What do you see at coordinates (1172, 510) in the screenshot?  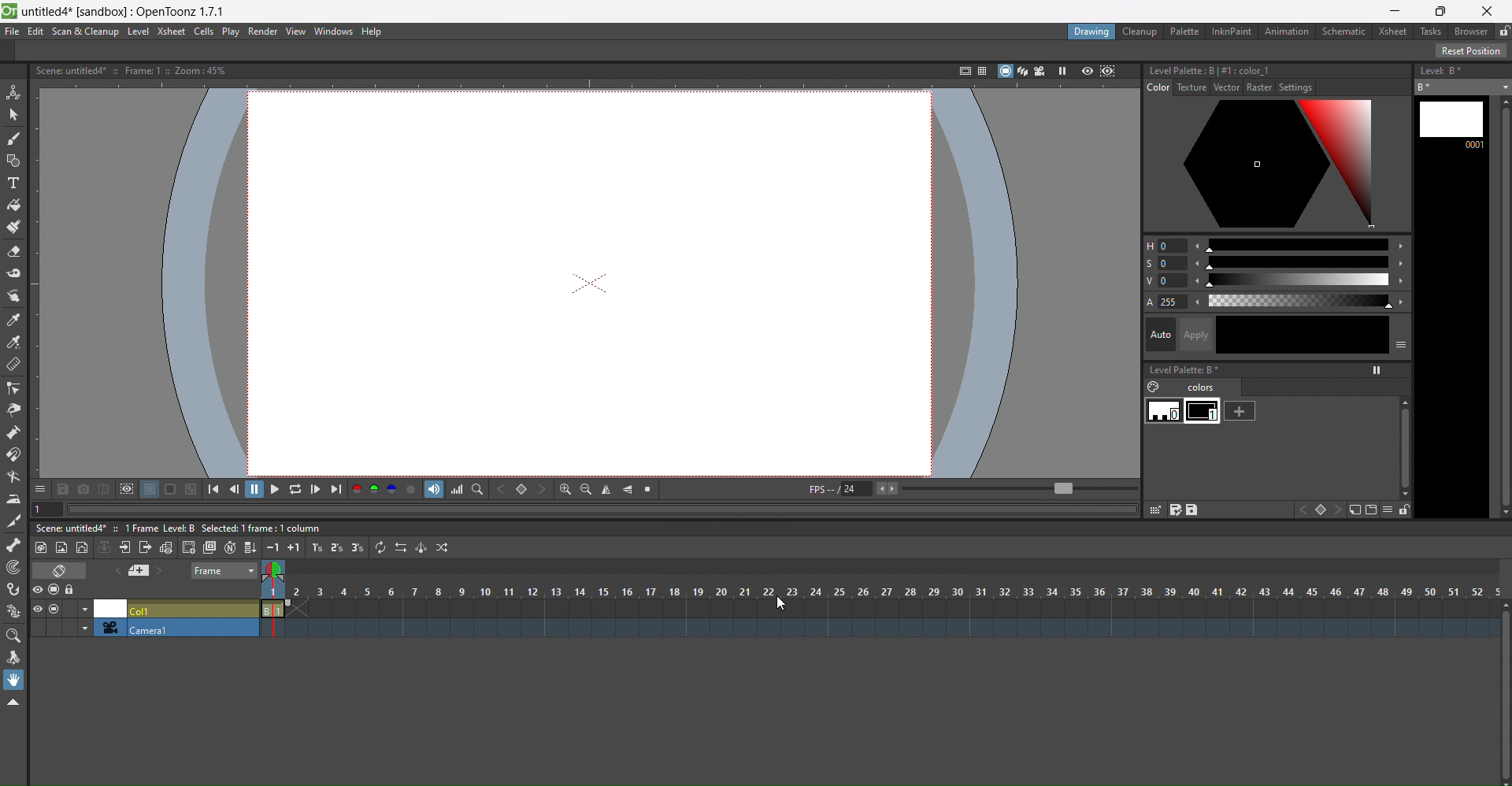 I see `tools` at bounding box center [1172, 510].